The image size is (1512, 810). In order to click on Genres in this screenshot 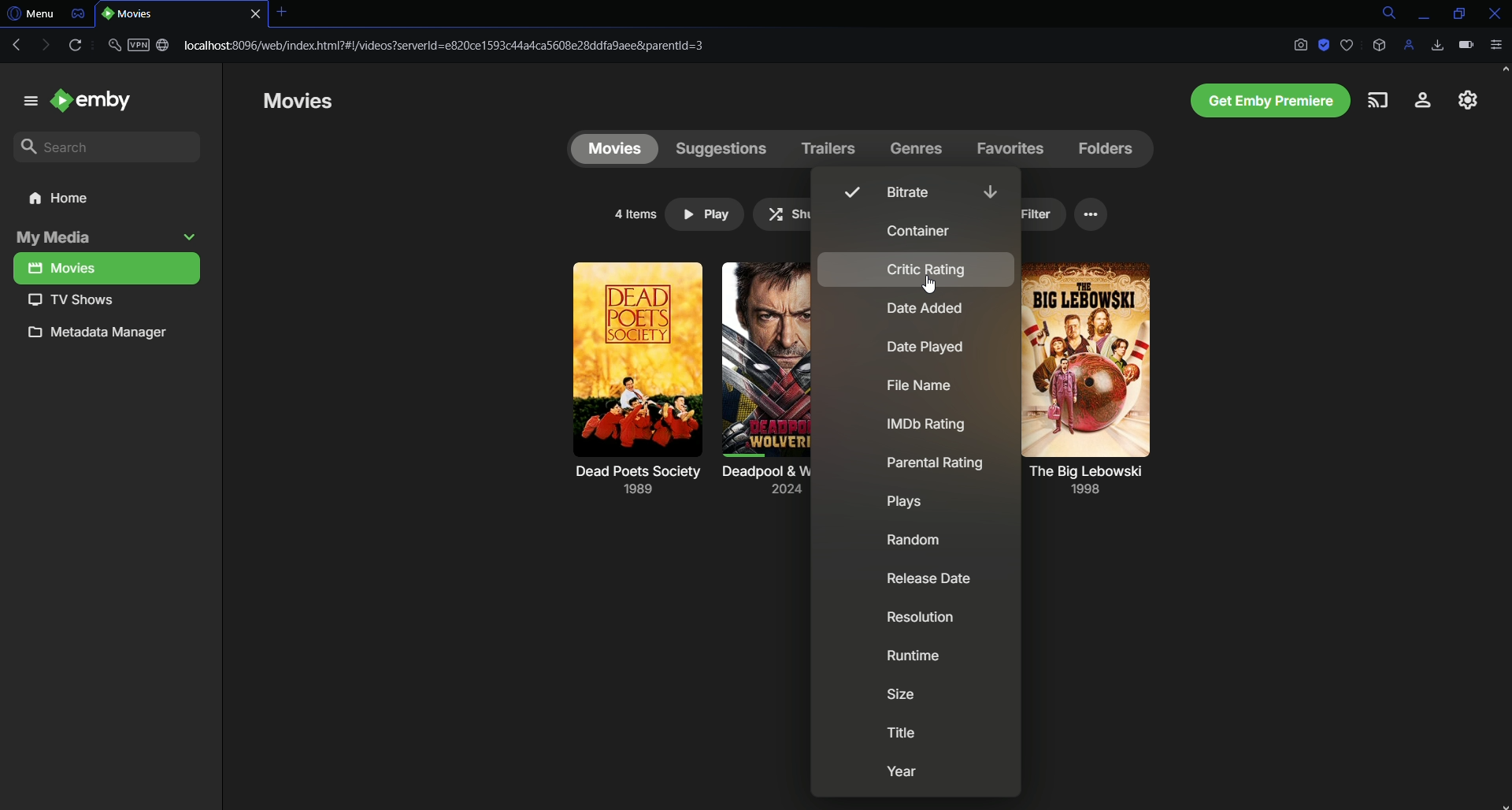, I will do `click(917, 148)`.